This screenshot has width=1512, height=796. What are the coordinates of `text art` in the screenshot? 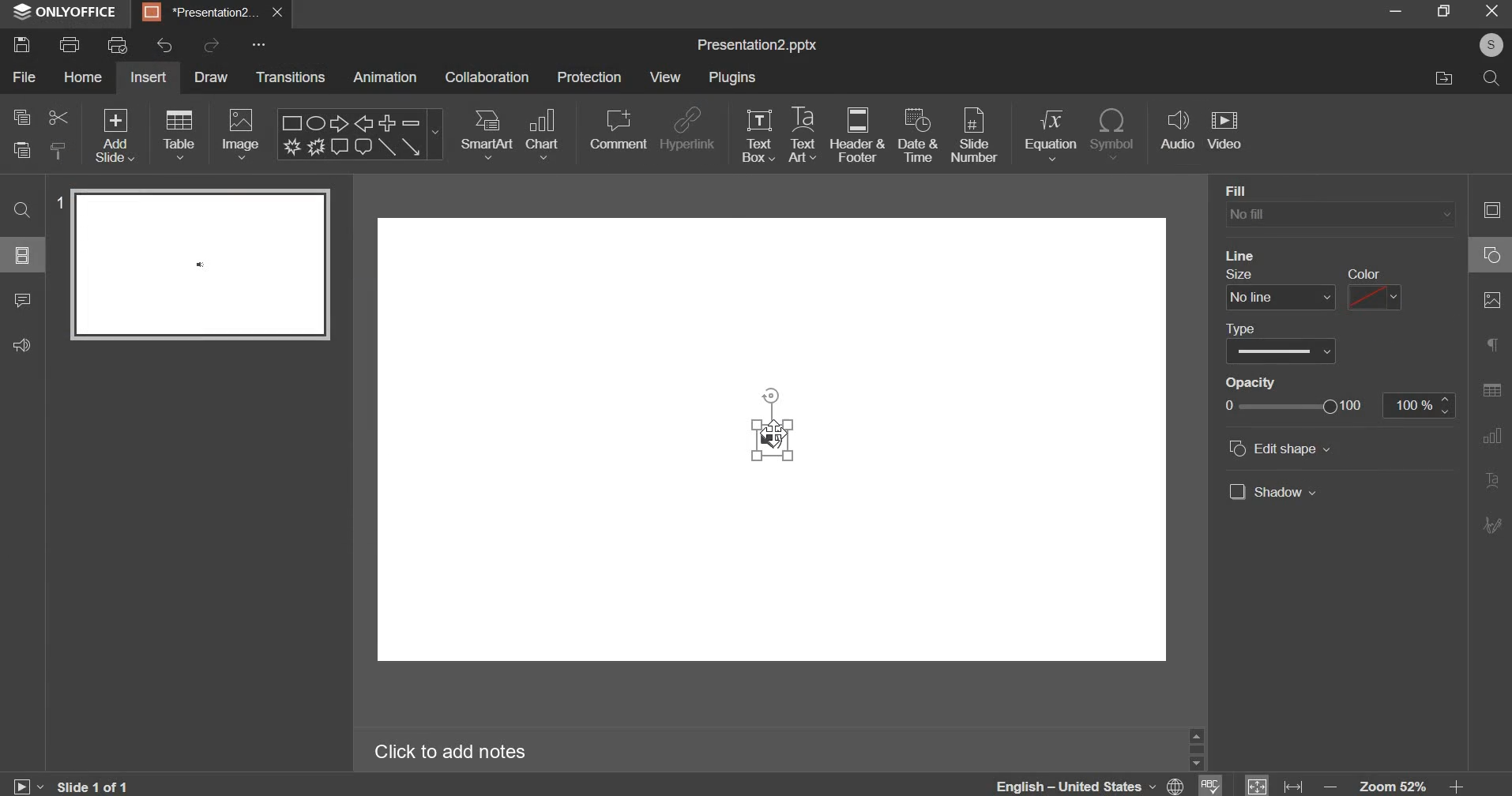 It's located at (804, 134).